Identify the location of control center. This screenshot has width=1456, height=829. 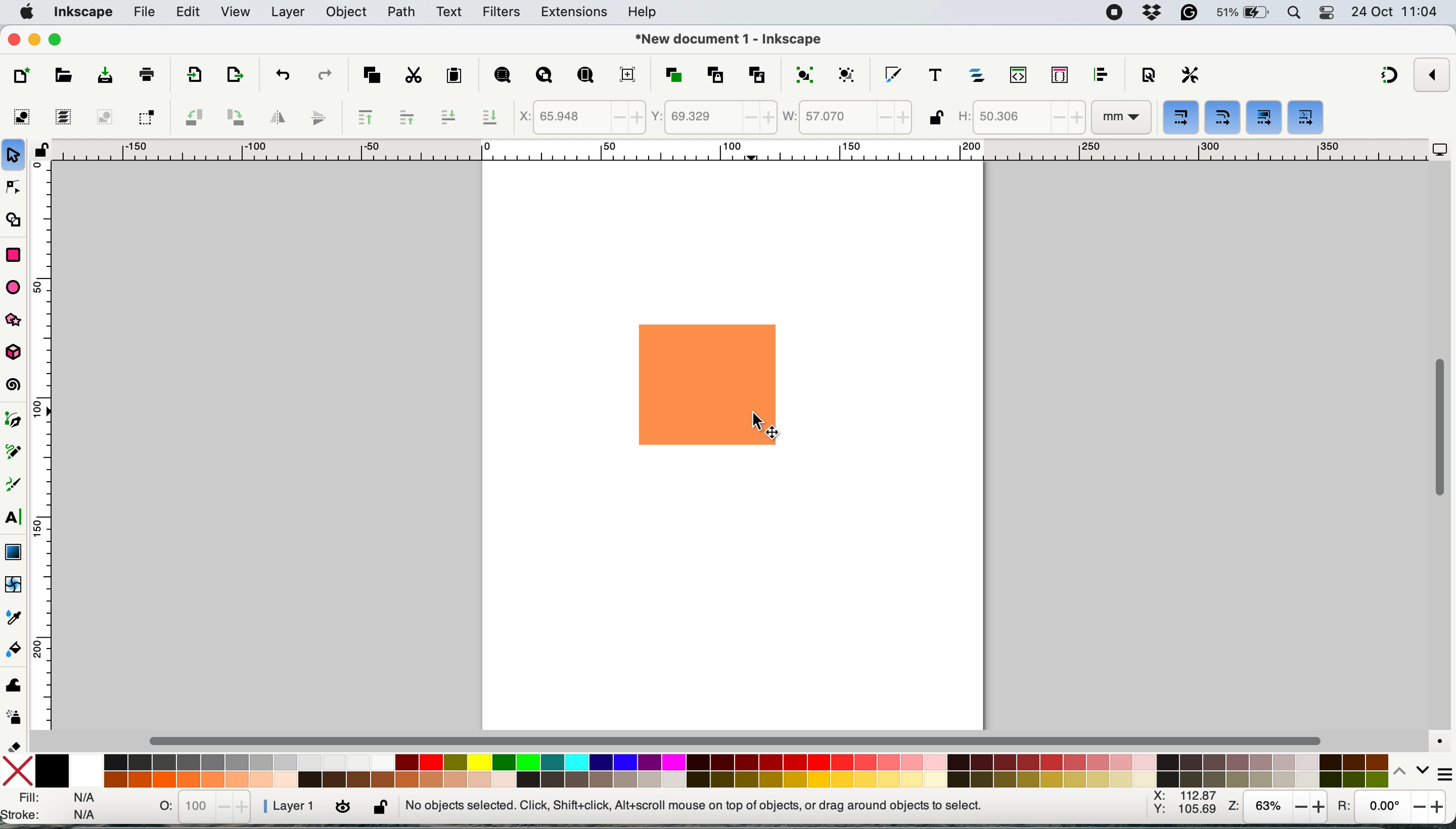
(1329, 14).